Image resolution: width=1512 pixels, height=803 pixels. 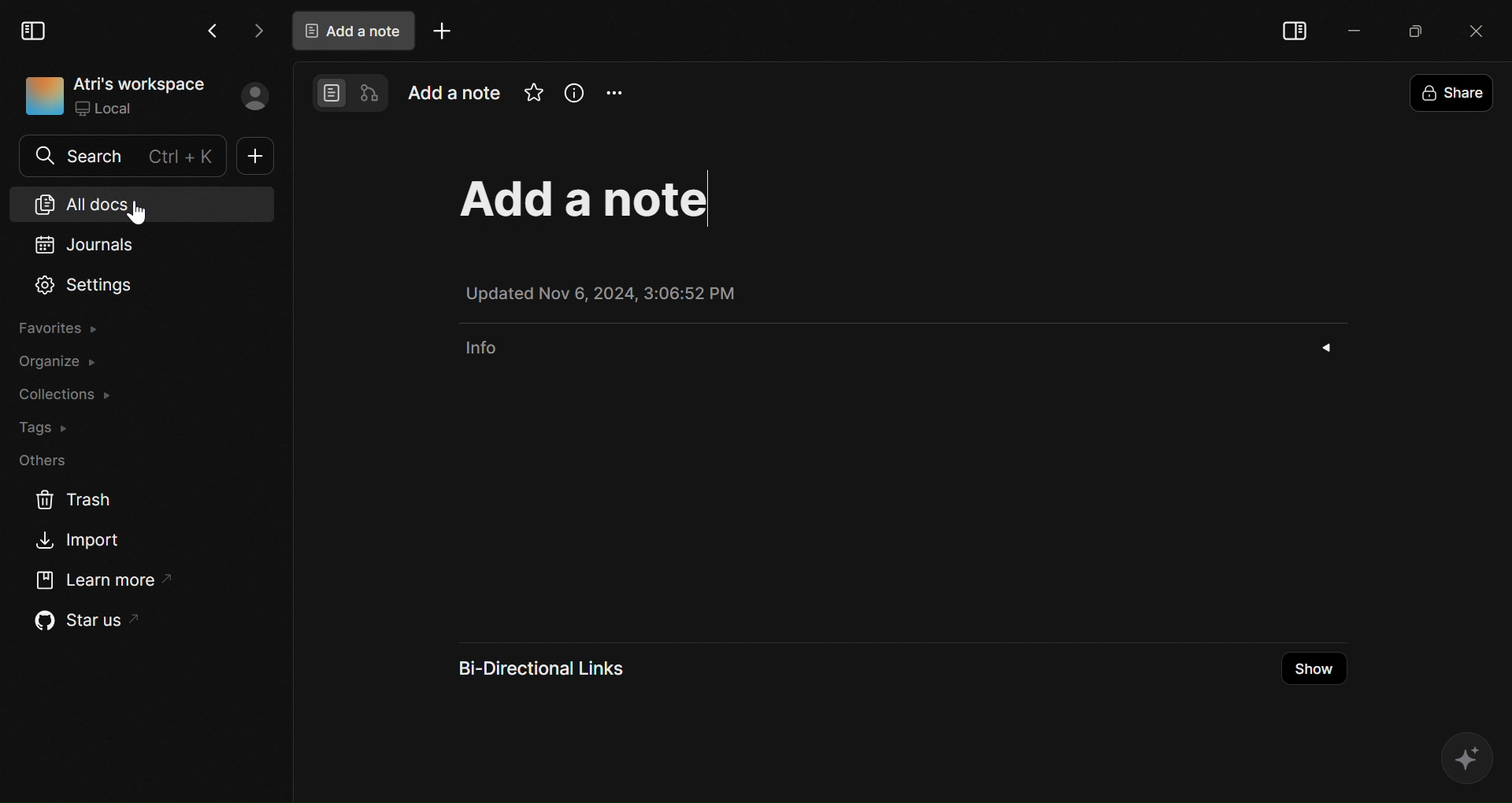 I want to click on Info, so click(x=573, y=94).